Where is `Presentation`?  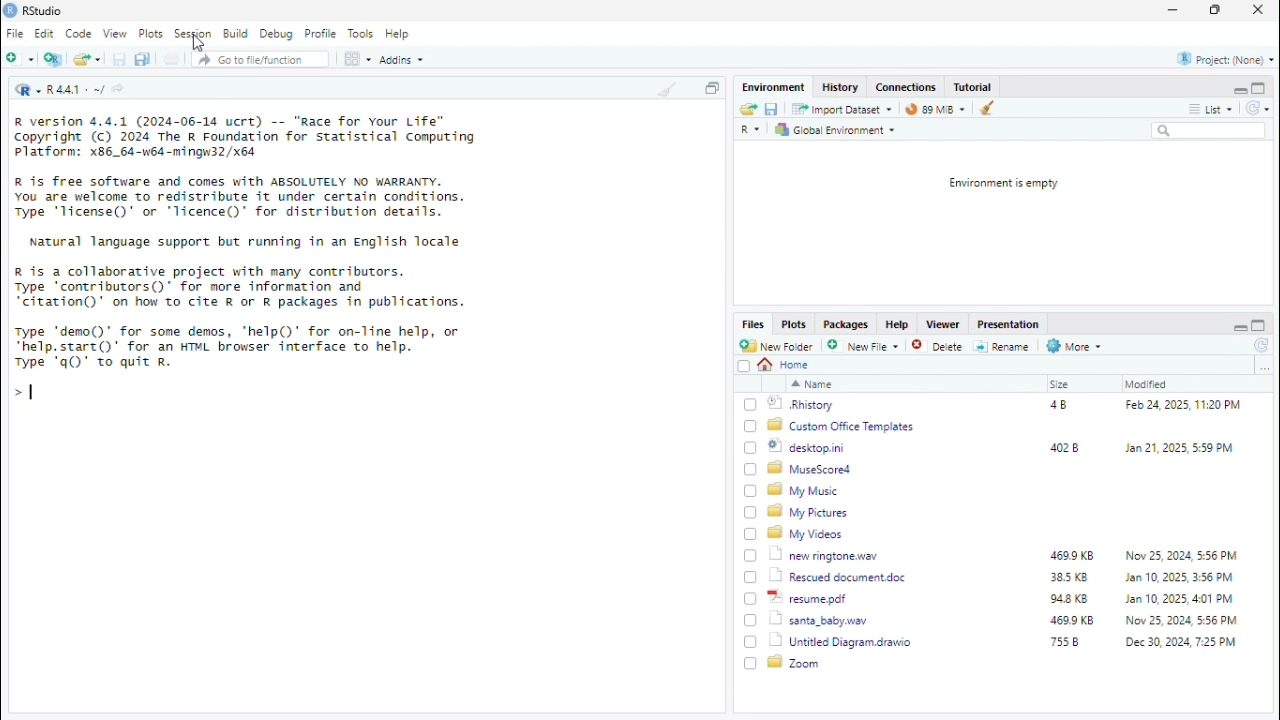 Presentation is located at coordinates (1011, 325).